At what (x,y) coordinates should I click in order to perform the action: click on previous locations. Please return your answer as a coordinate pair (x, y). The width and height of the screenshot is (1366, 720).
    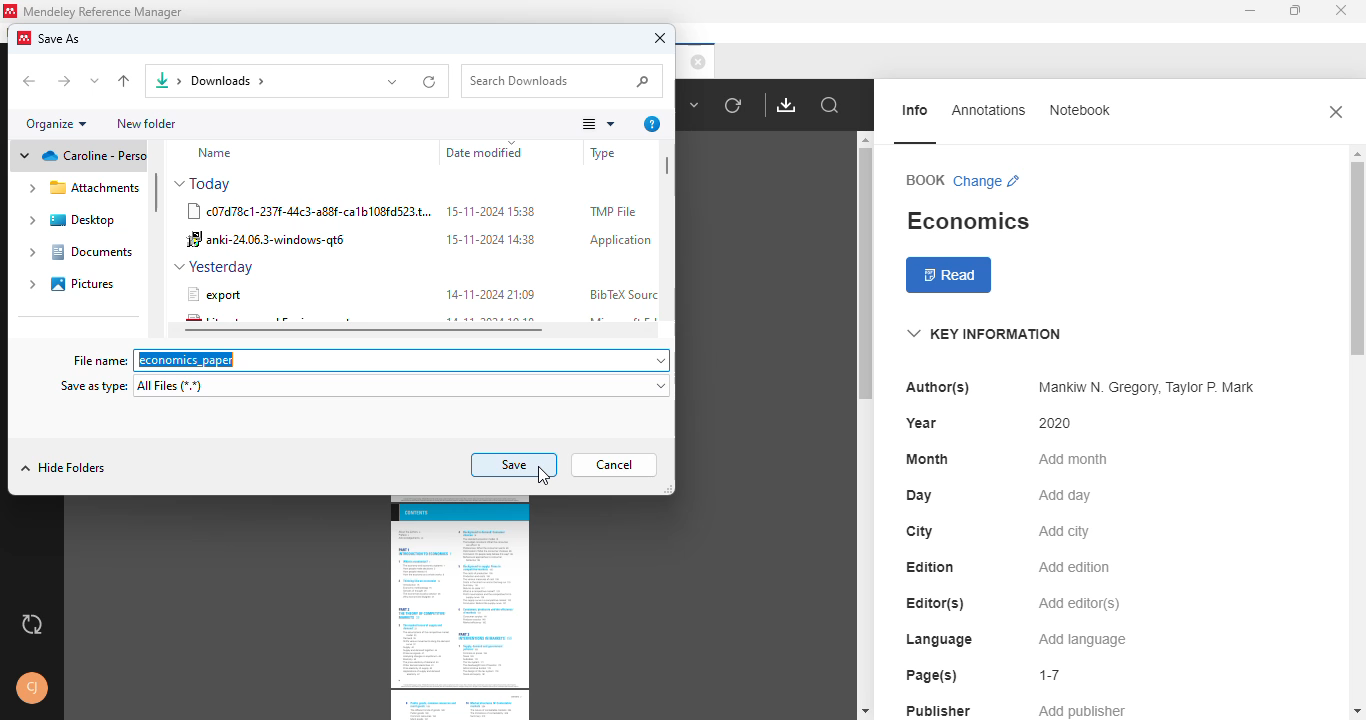
    Looking at the image, I should click on (391, 81).